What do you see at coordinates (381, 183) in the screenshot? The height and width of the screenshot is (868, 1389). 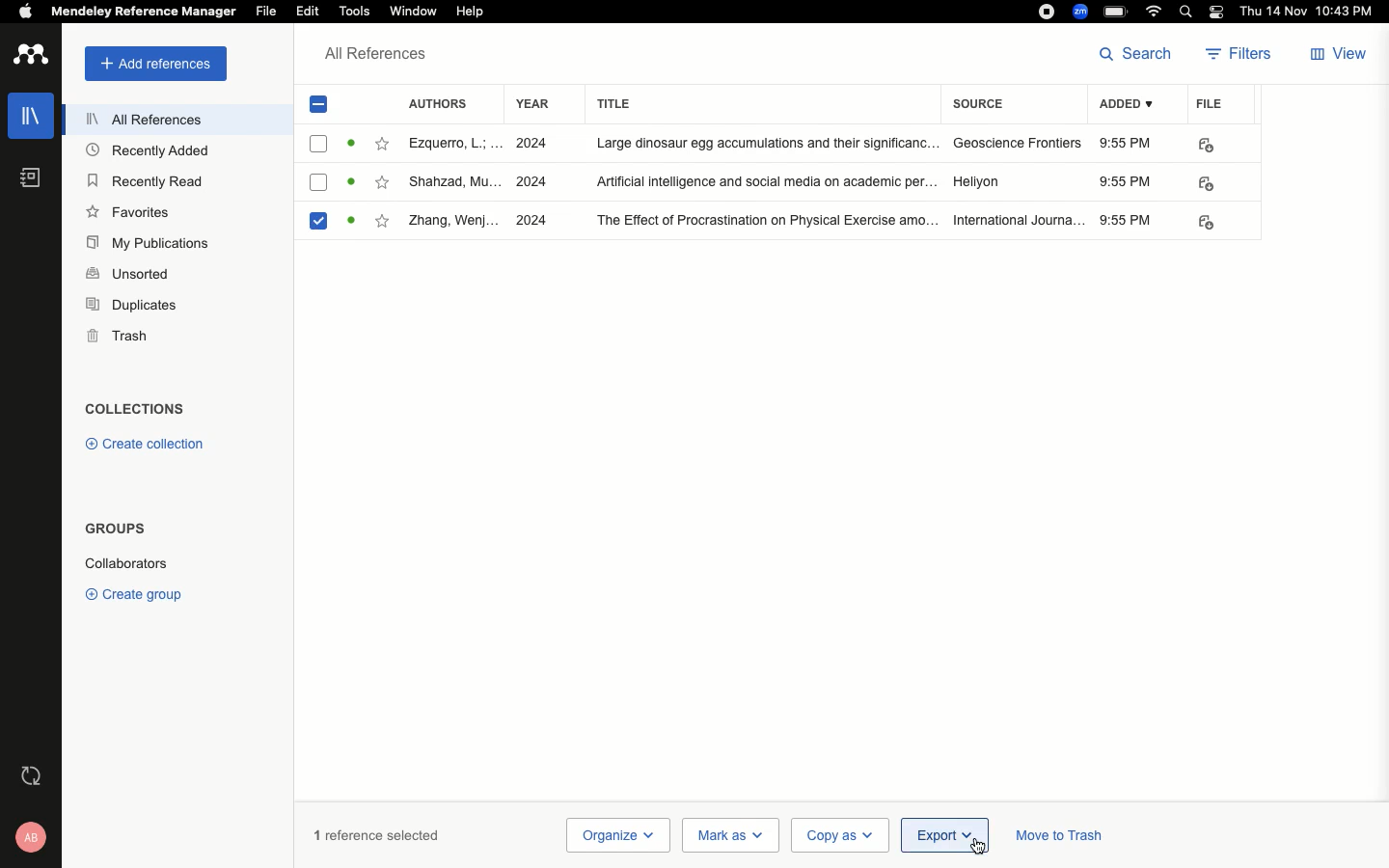 I see `favourite` at bounding box center [381, 183].